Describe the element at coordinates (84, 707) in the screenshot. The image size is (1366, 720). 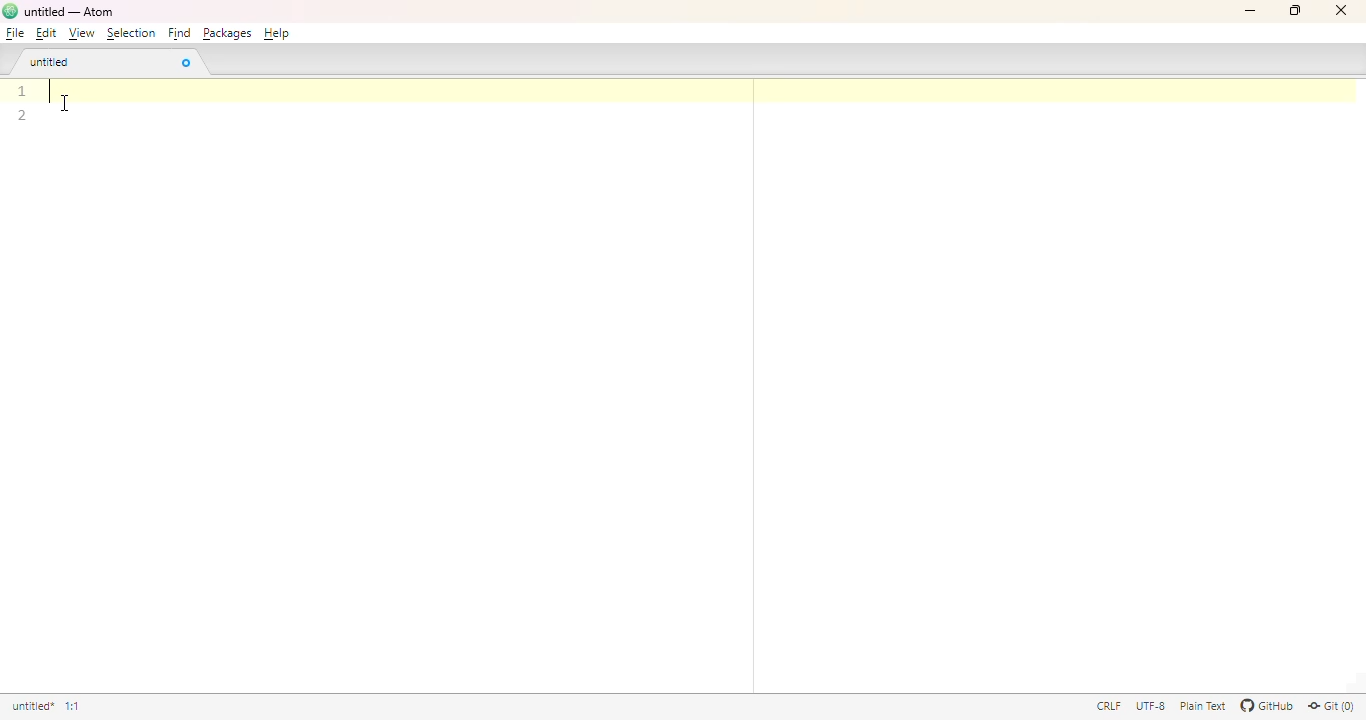
I see `line 1, column 1` at that location.